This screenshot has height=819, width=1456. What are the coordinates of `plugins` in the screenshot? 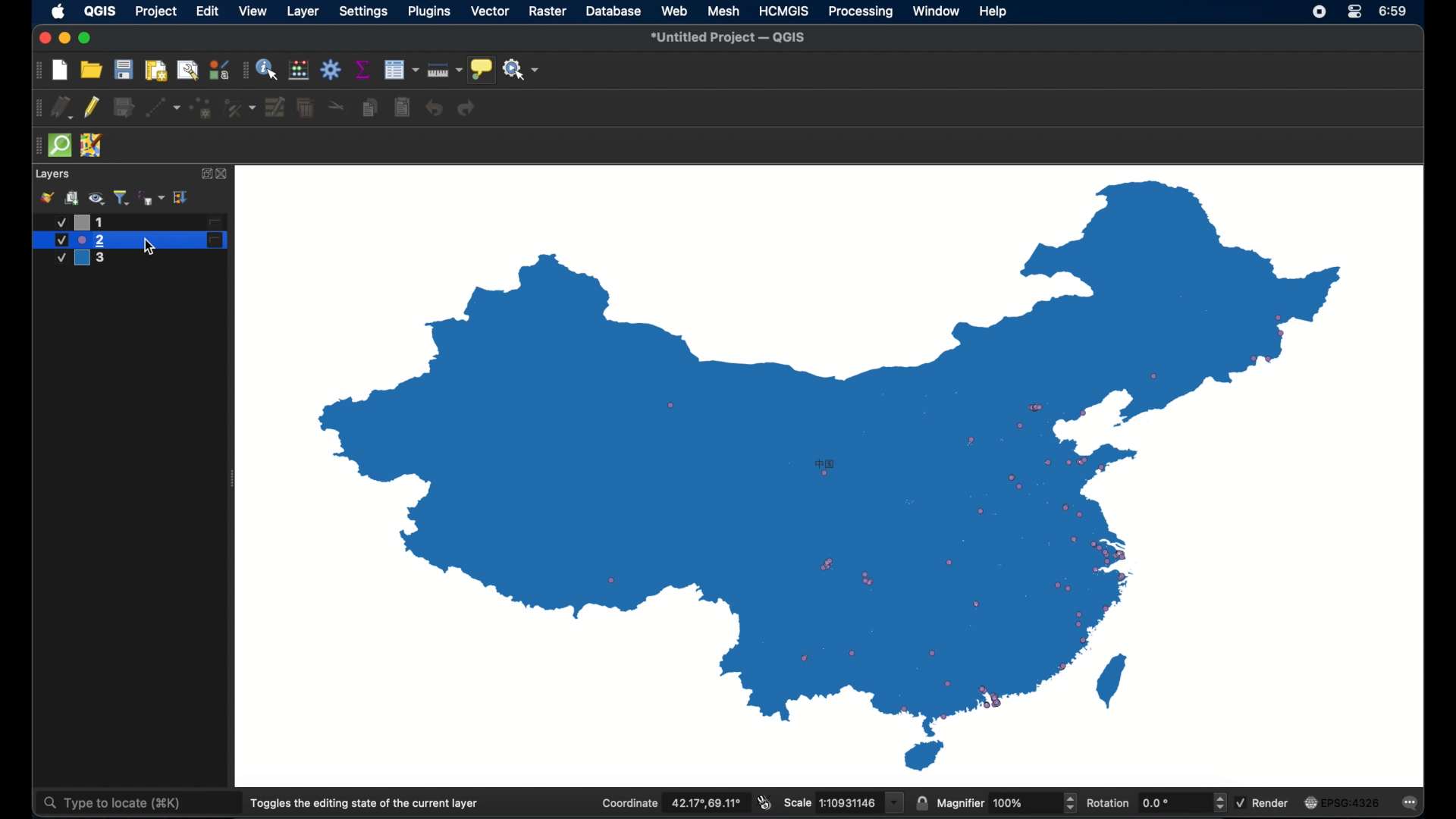 It's located at (430, 11).